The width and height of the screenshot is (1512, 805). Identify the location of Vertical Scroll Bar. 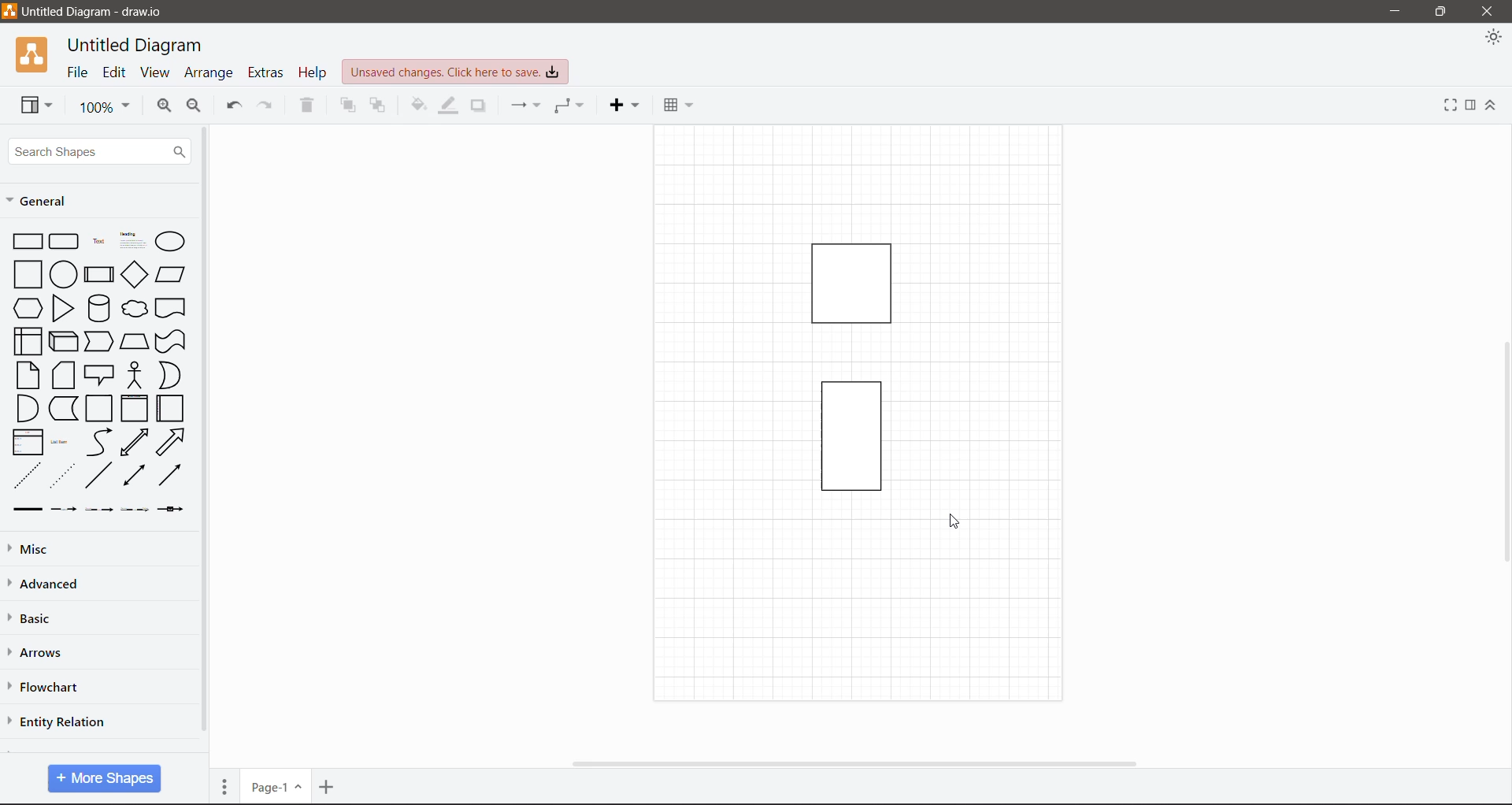
(205, 436).